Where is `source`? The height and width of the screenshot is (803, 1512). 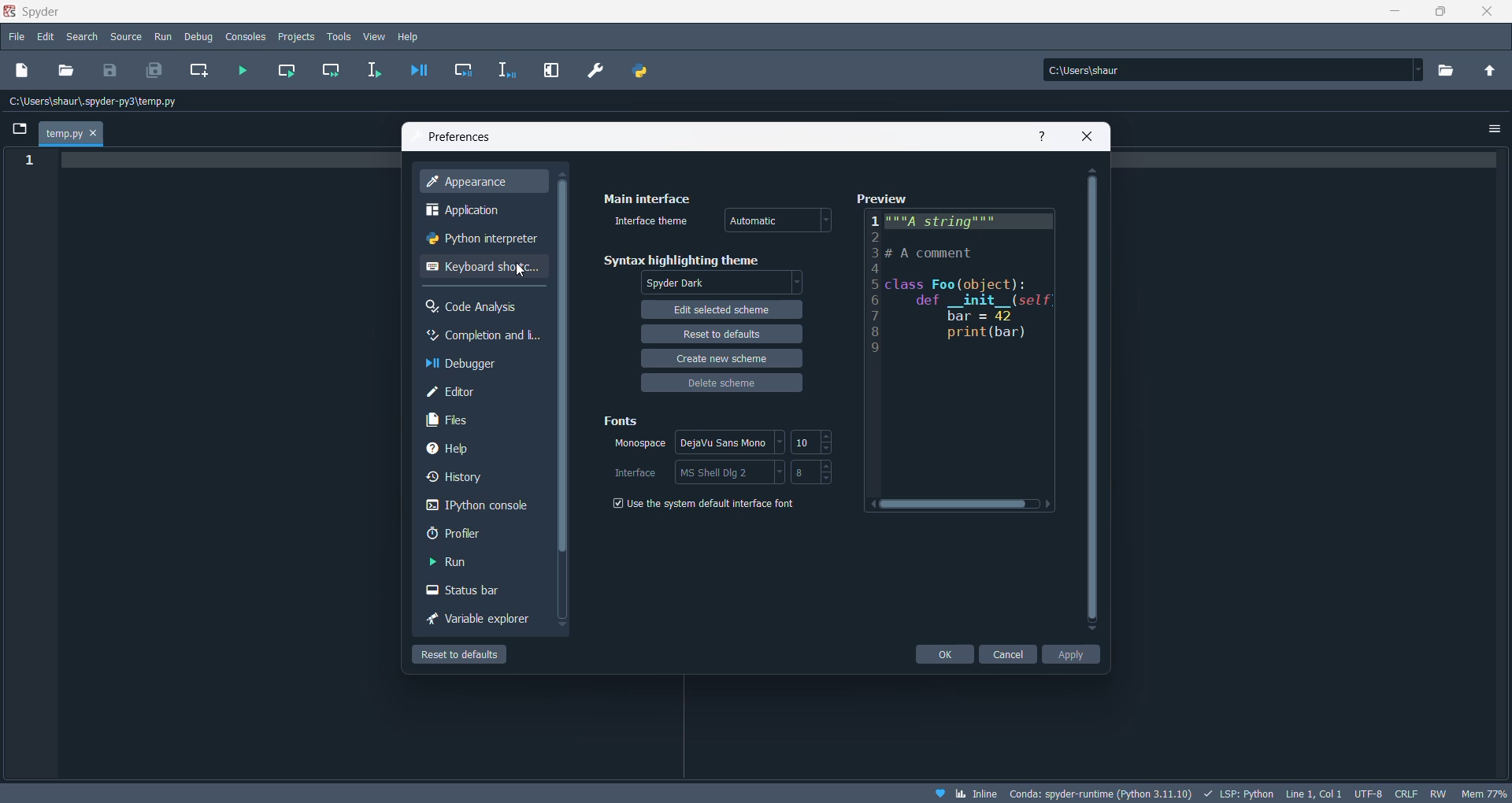 source is located at coordinates (127, 39).